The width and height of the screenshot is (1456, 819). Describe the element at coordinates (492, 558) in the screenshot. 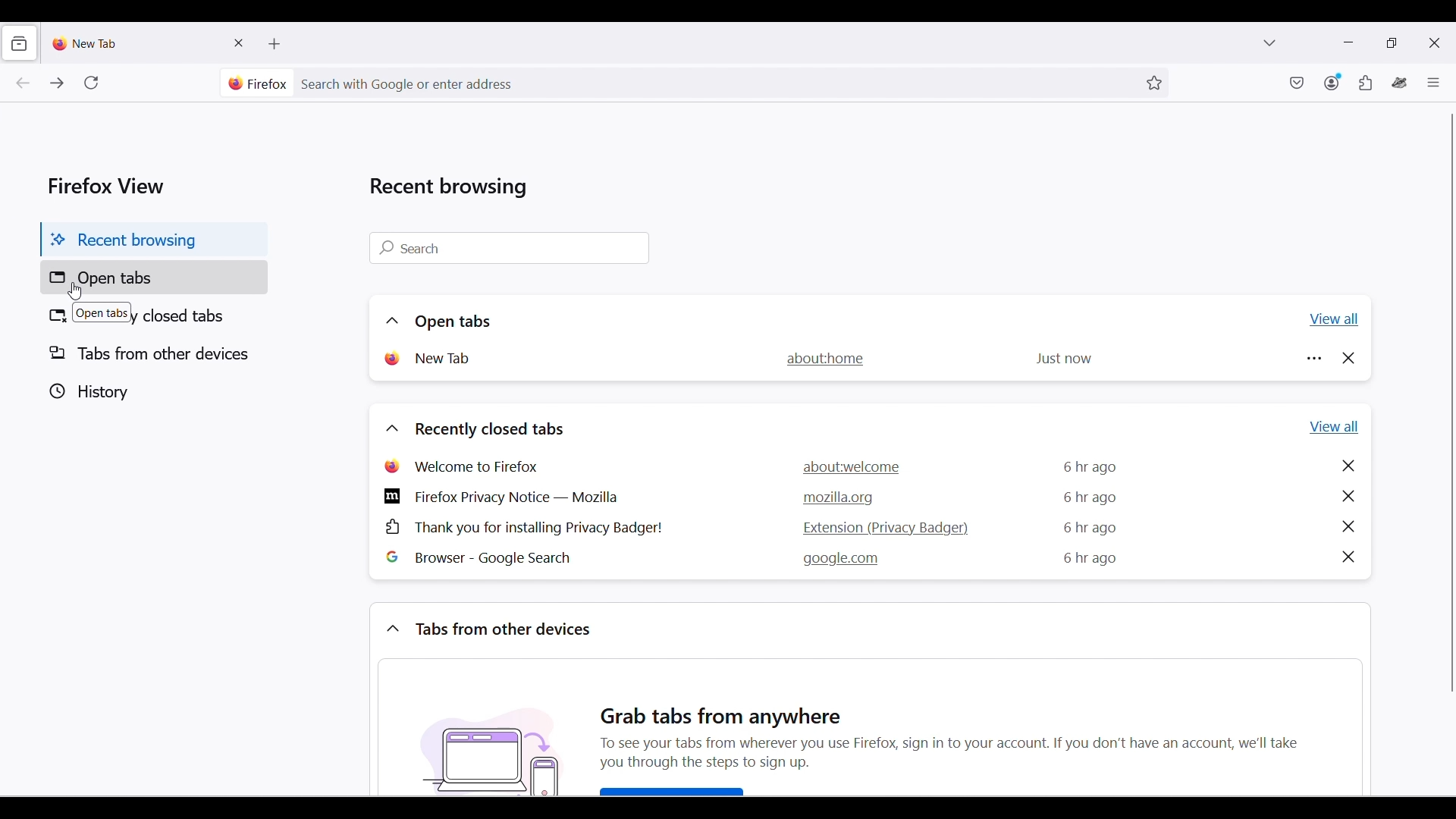

I see `Browser - Google Search` at that location.